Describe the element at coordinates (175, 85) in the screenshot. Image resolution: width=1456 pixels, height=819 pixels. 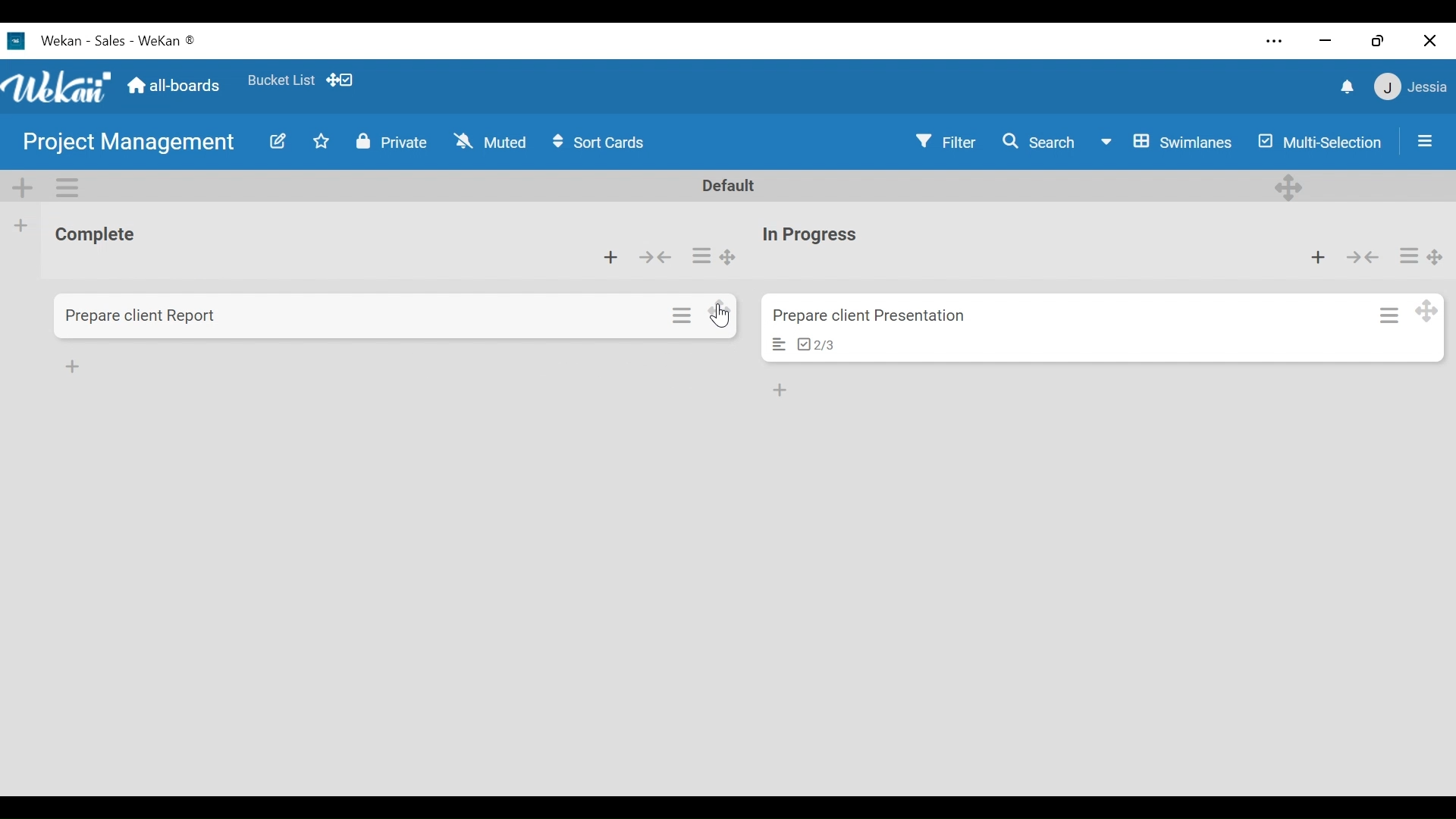
I see `all boards` at that location.